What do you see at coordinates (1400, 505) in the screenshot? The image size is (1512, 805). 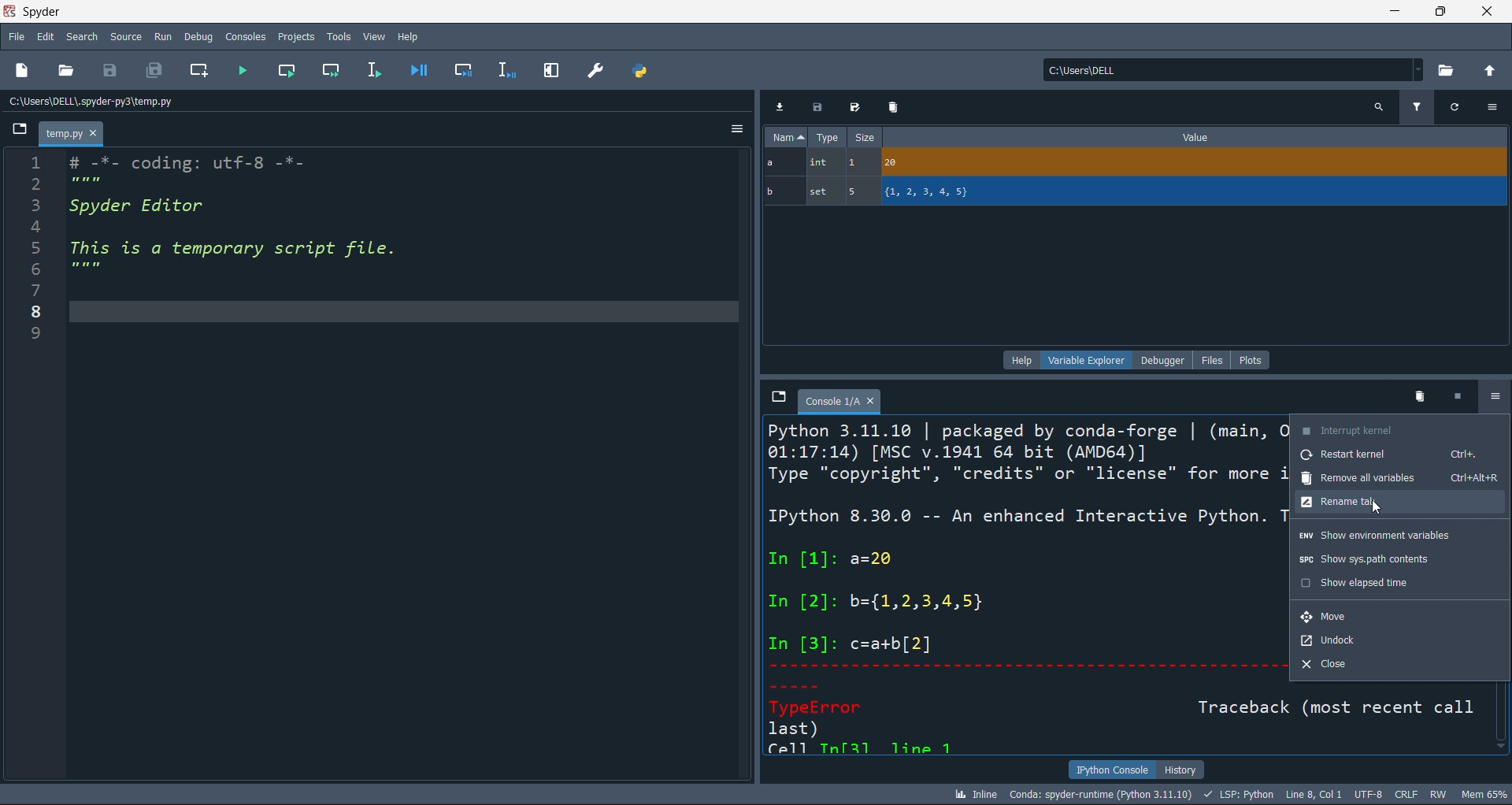 I see `rename tab` at bounding box center [1400, 505].